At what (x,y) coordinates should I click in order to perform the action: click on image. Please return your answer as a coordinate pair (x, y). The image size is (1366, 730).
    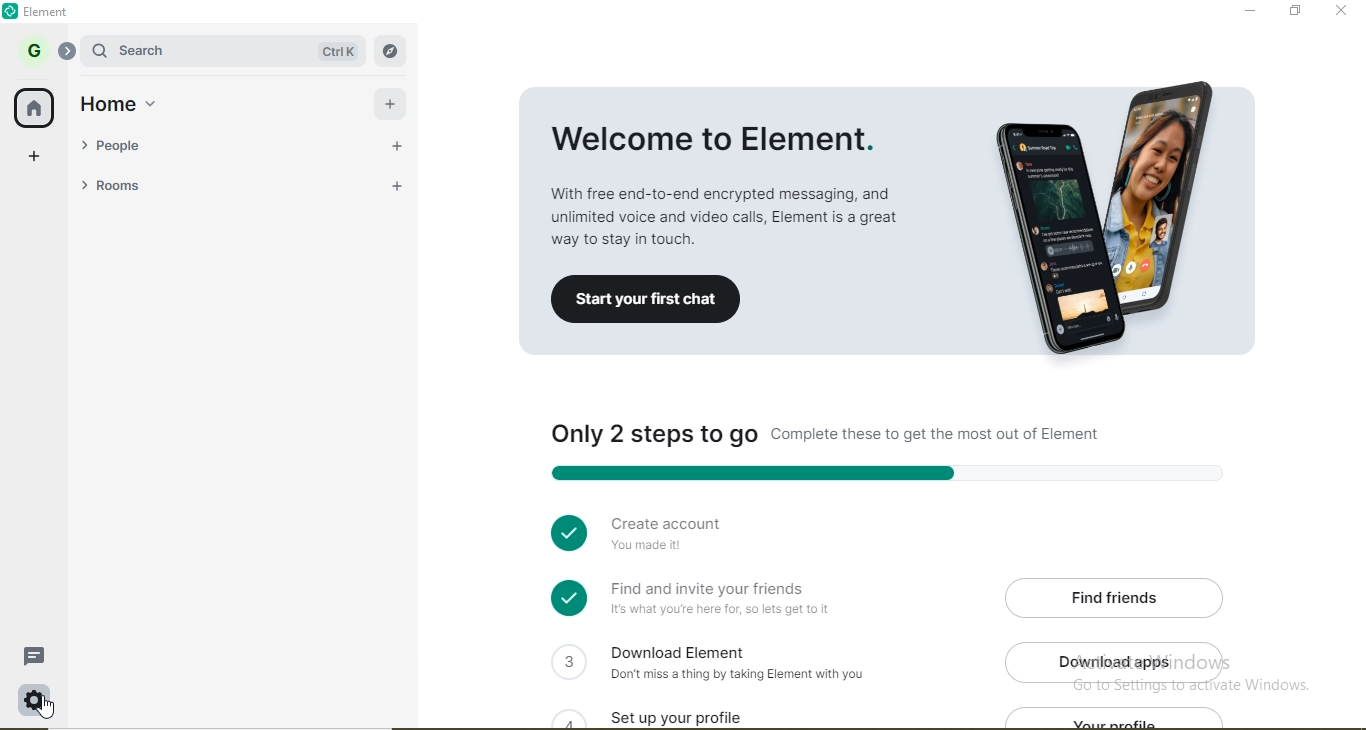
    Looking at the image, I should click on (1116, 221).